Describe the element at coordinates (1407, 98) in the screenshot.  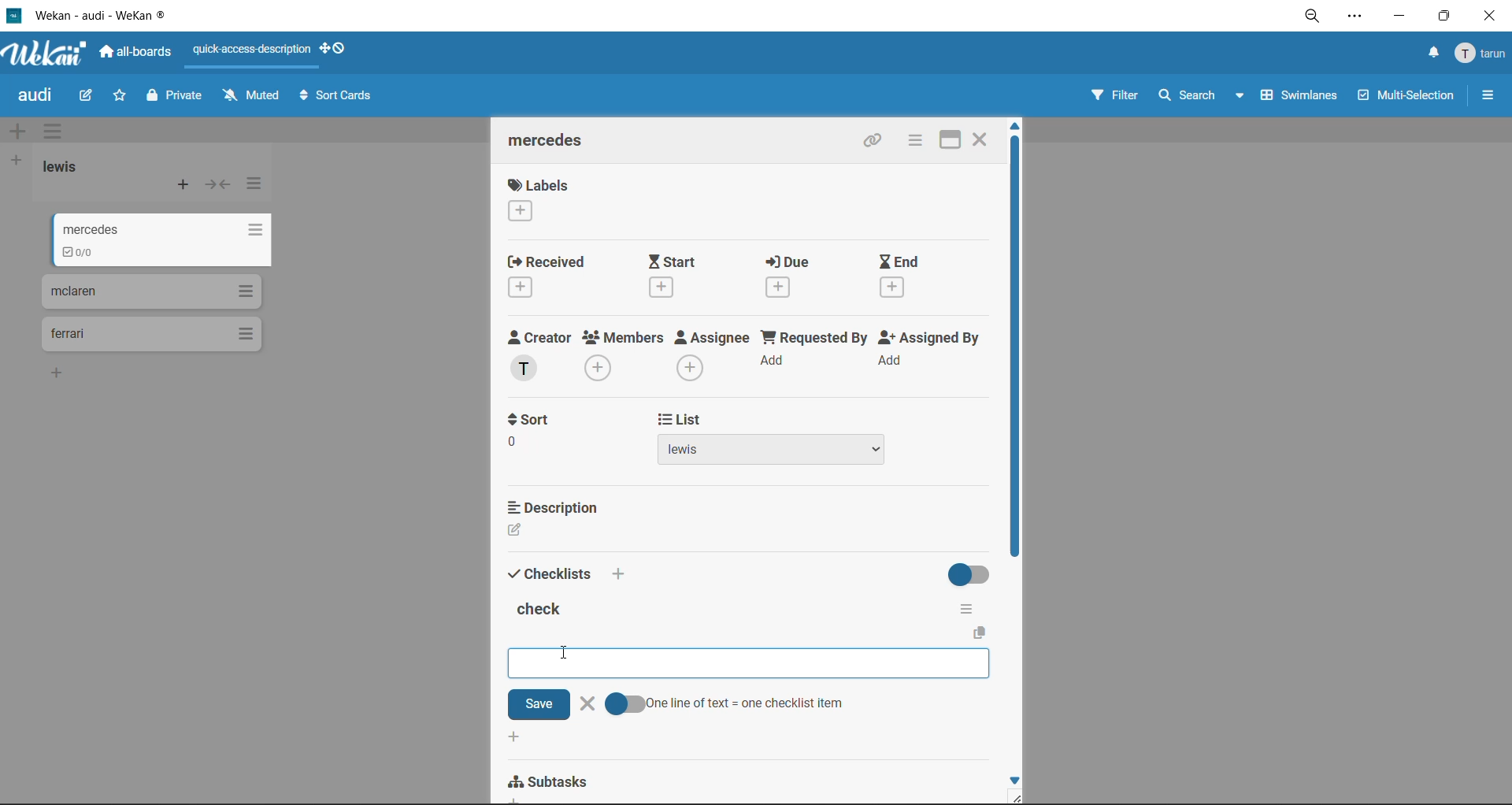
I see `multiselection` at that location.